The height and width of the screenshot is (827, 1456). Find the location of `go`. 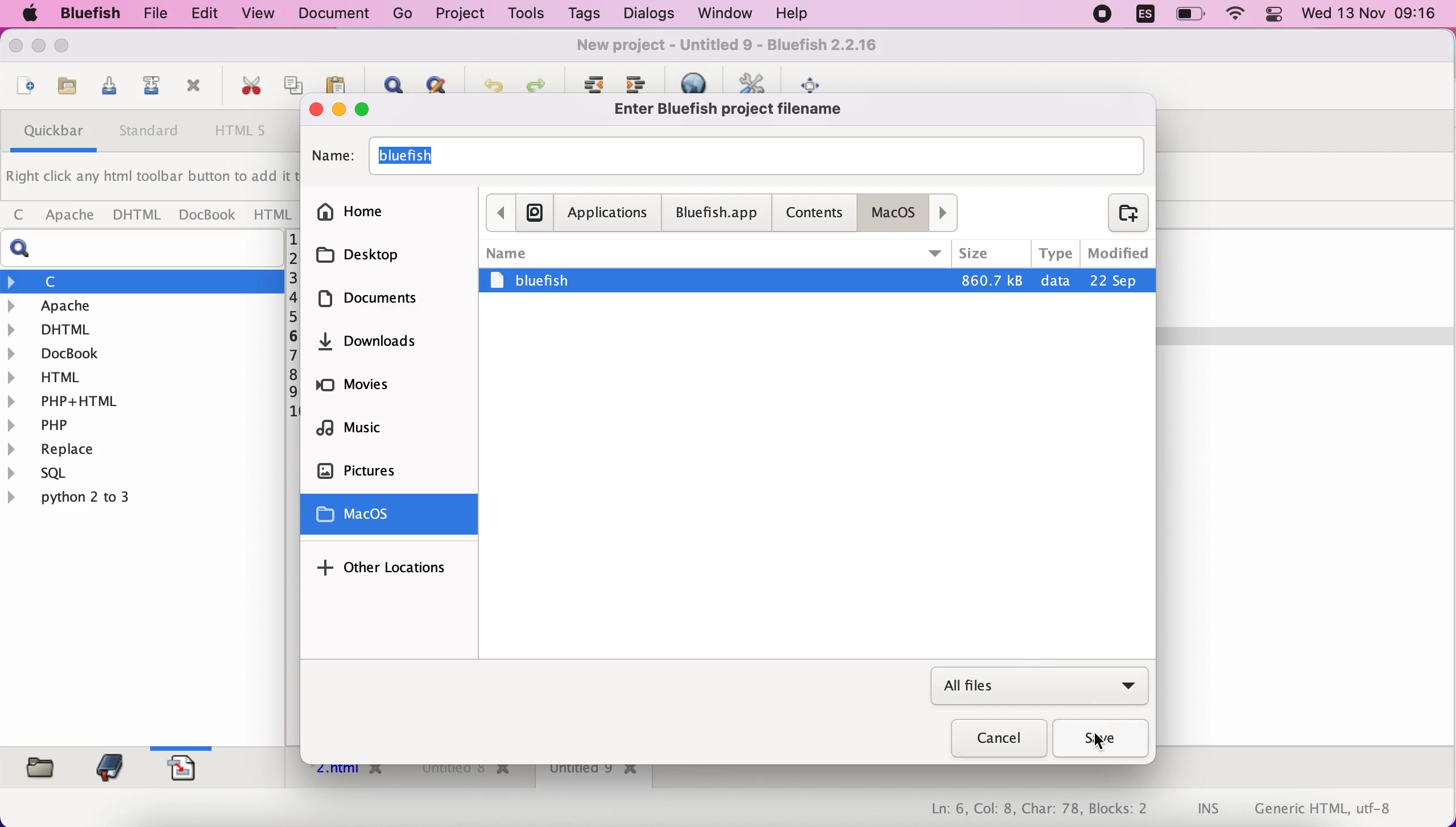

go is located at coordinates (403, 14).